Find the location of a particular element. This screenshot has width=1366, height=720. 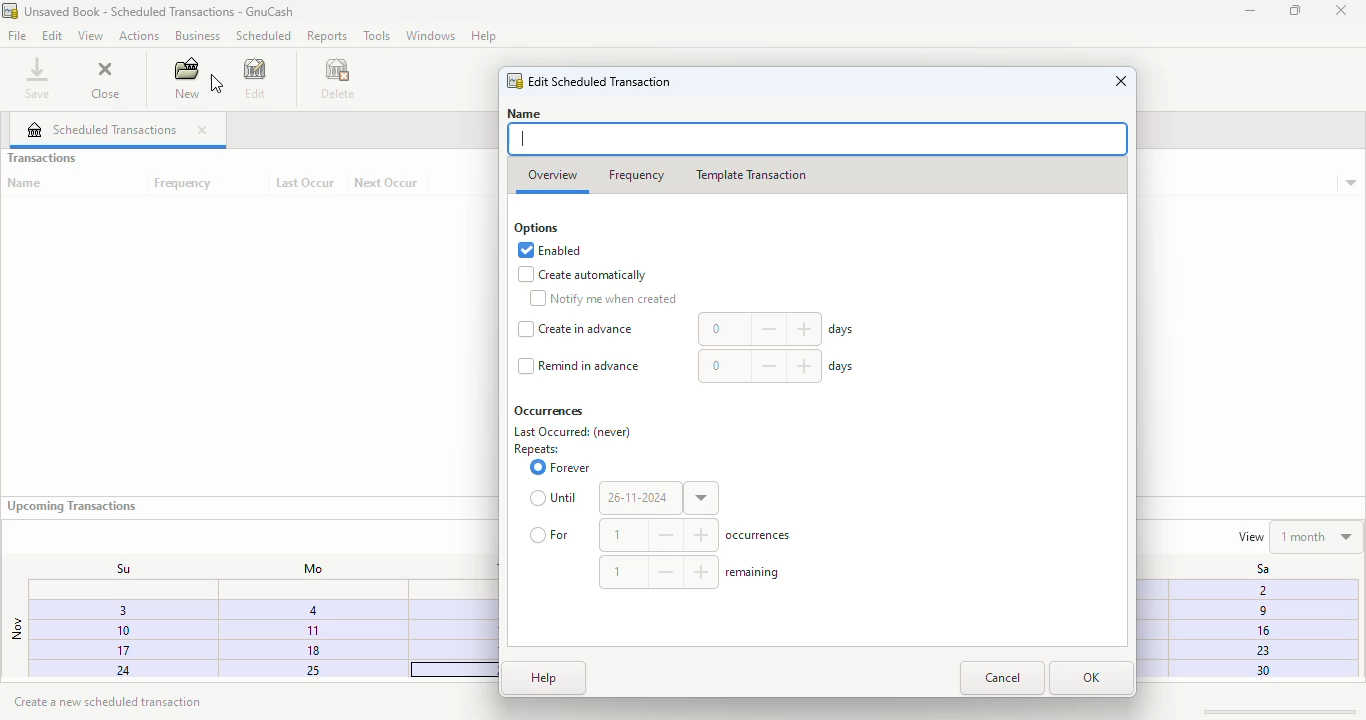

edit is located at coordinates (256, 78).